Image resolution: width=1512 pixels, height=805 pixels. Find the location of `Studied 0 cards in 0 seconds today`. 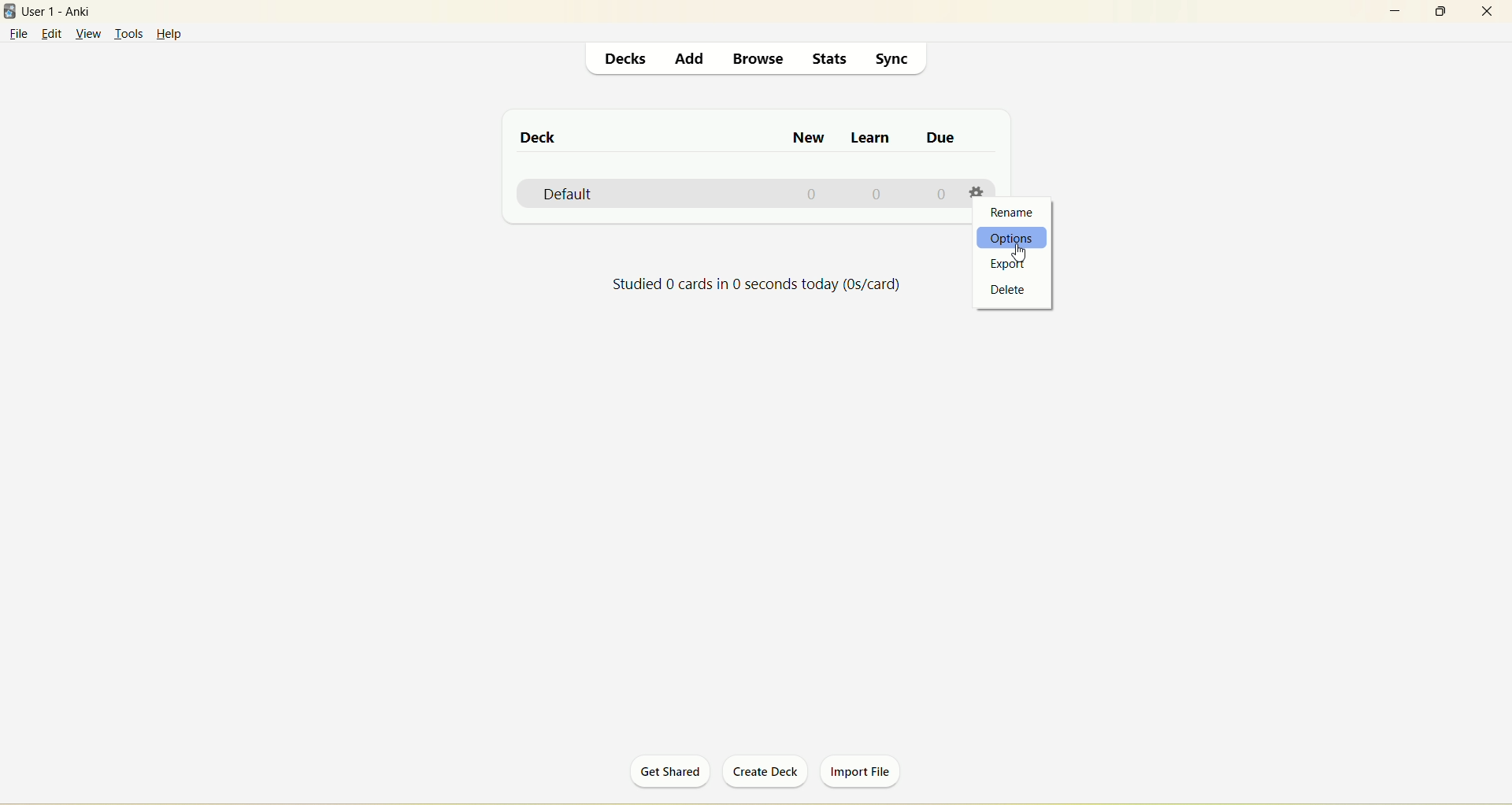

Studied 0 cards in 0 seconds today is located at coordinates (758, 287).